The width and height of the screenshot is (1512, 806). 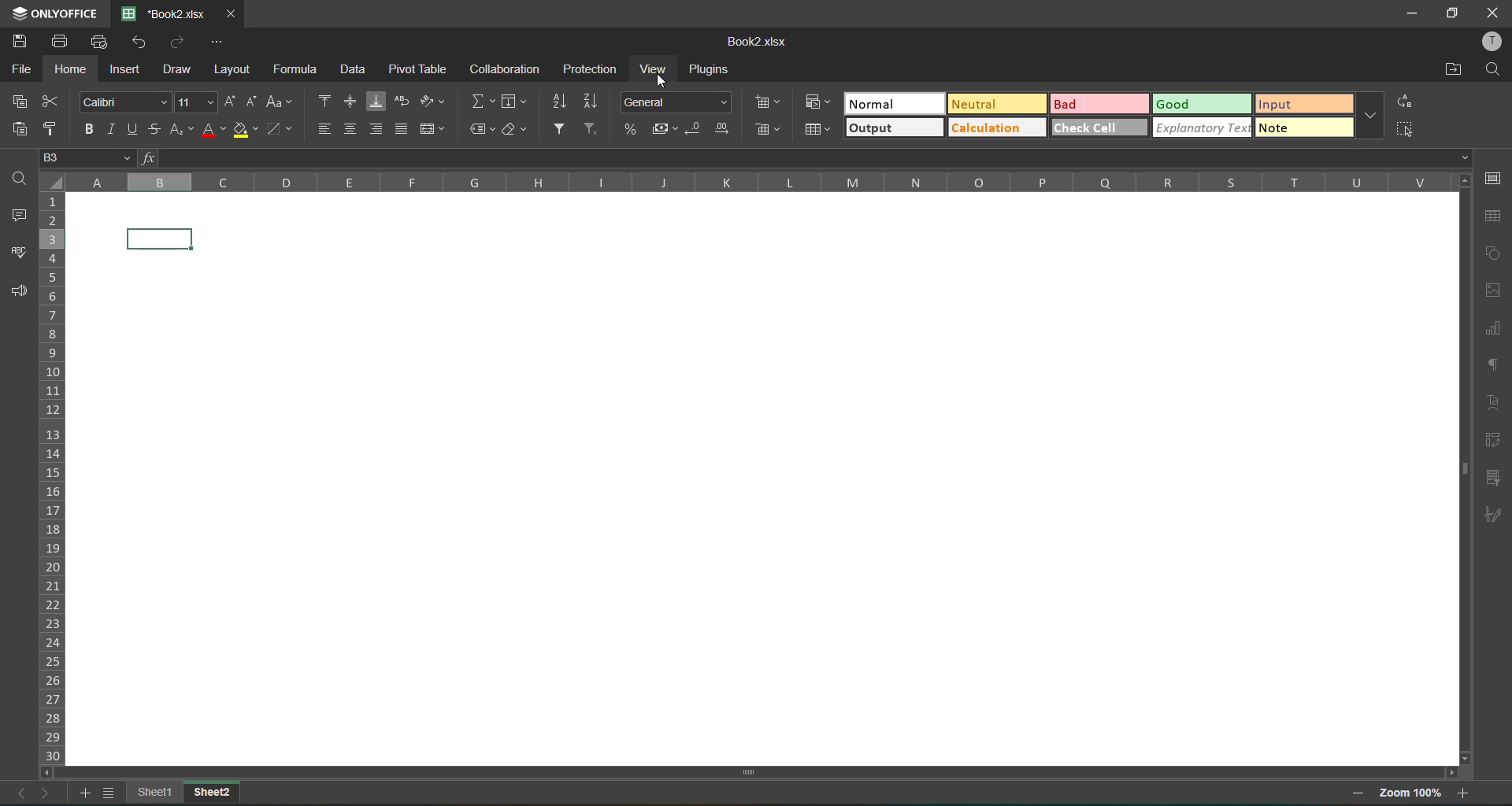 What do you see at coordinates (802, 158) in the screenshot?
I see `formula bar` at bounding box center [802, 158].